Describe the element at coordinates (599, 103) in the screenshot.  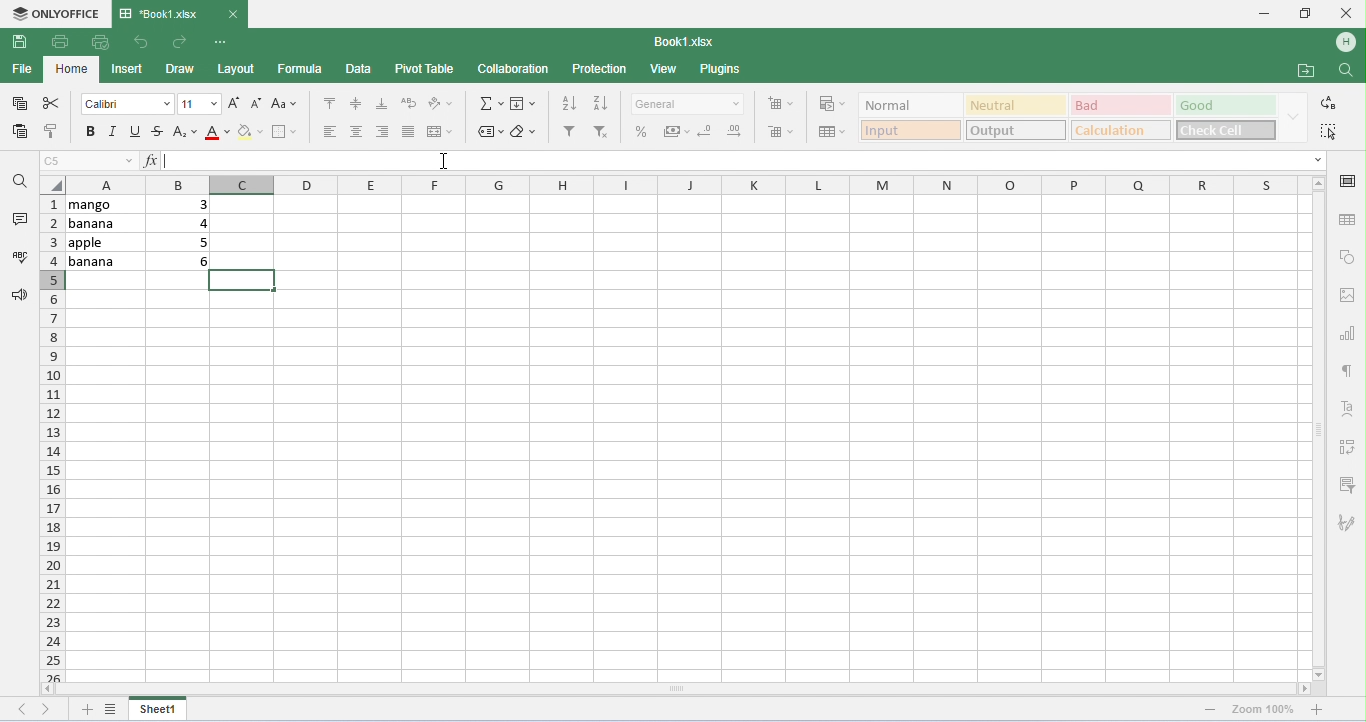
I see `sort descending` at that location.